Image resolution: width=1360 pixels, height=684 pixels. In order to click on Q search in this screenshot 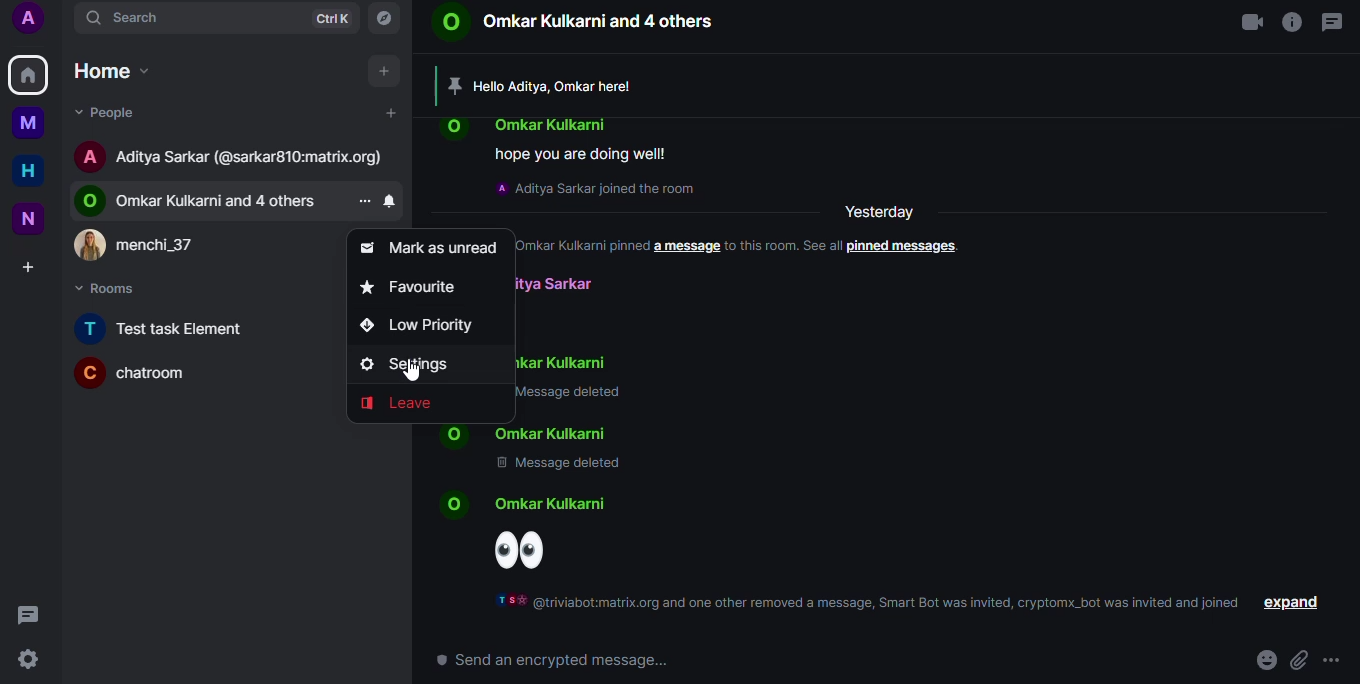, I will do `click(131, 19)`.